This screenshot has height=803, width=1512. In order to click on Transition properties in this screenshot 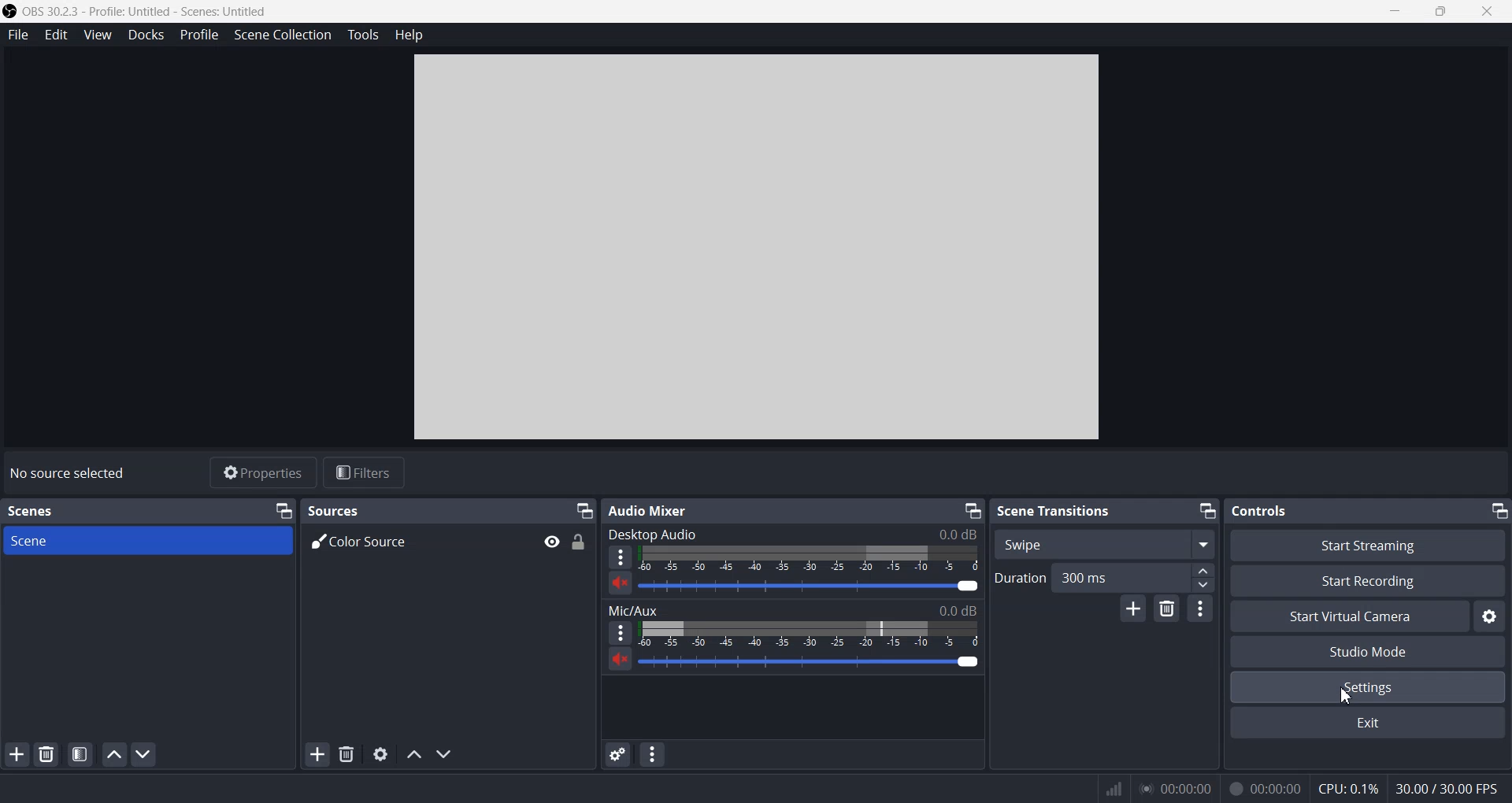, I will do `click(1200, 609)`.